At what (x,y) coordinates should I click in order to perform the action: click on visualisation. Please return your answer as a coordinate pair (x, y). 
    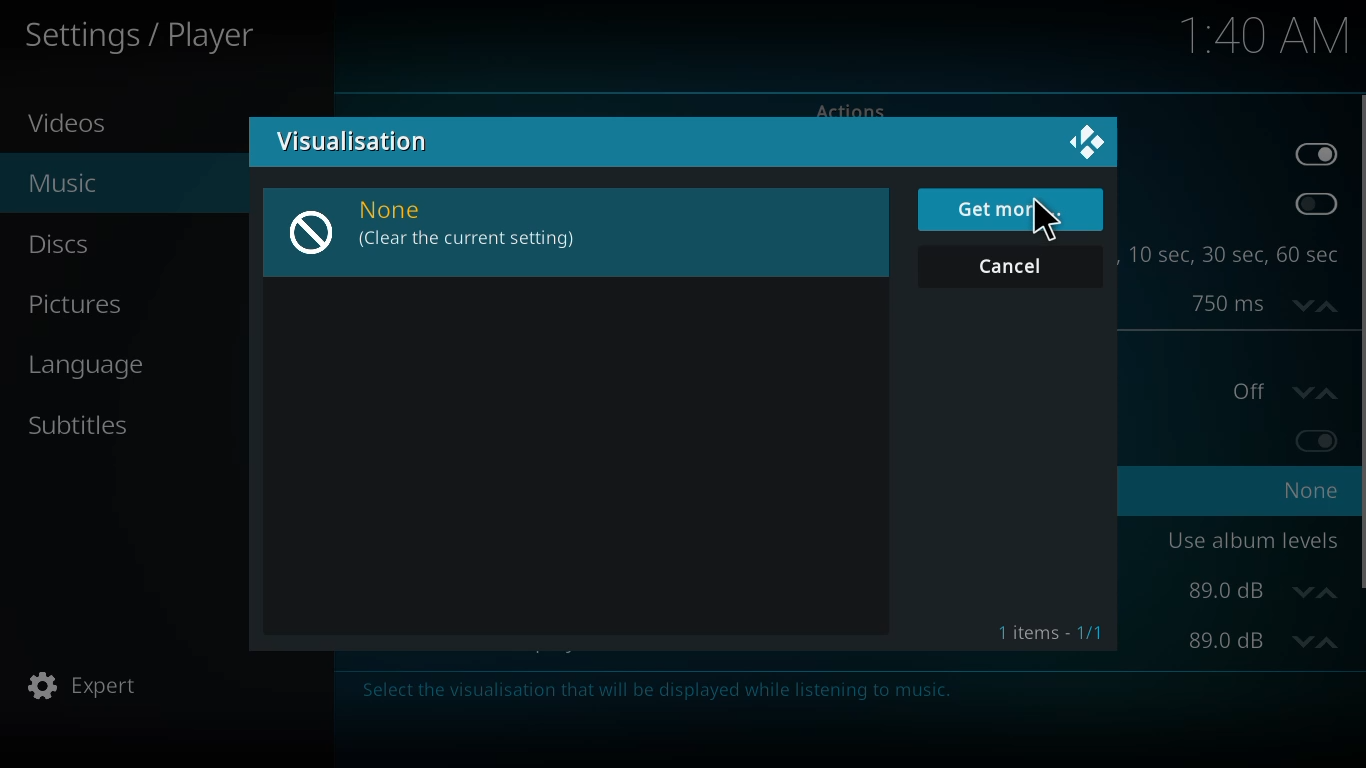
    Looking at the image, I should click on (360, 138).